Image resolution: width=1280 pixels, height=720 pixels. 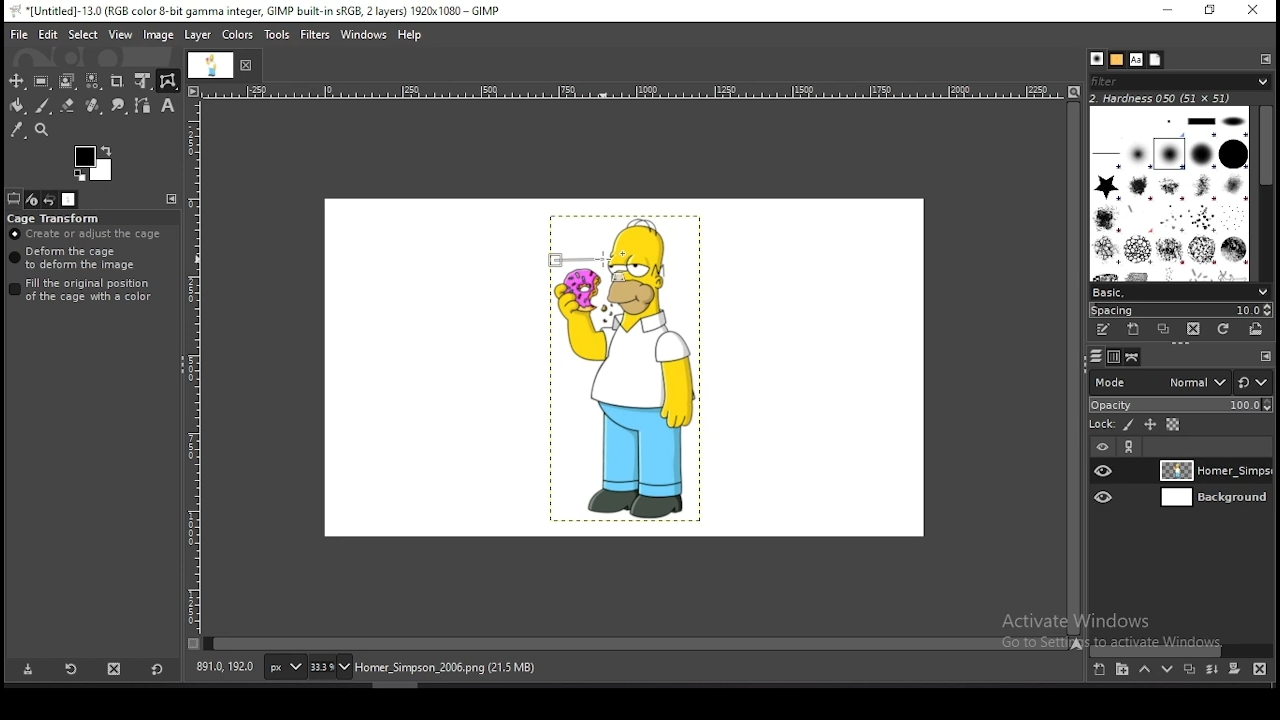 What do you see at coordinates (86, 290) in the screenshot?
I see `fill the original position of the cage with a color` at bounding box center [86, 290].